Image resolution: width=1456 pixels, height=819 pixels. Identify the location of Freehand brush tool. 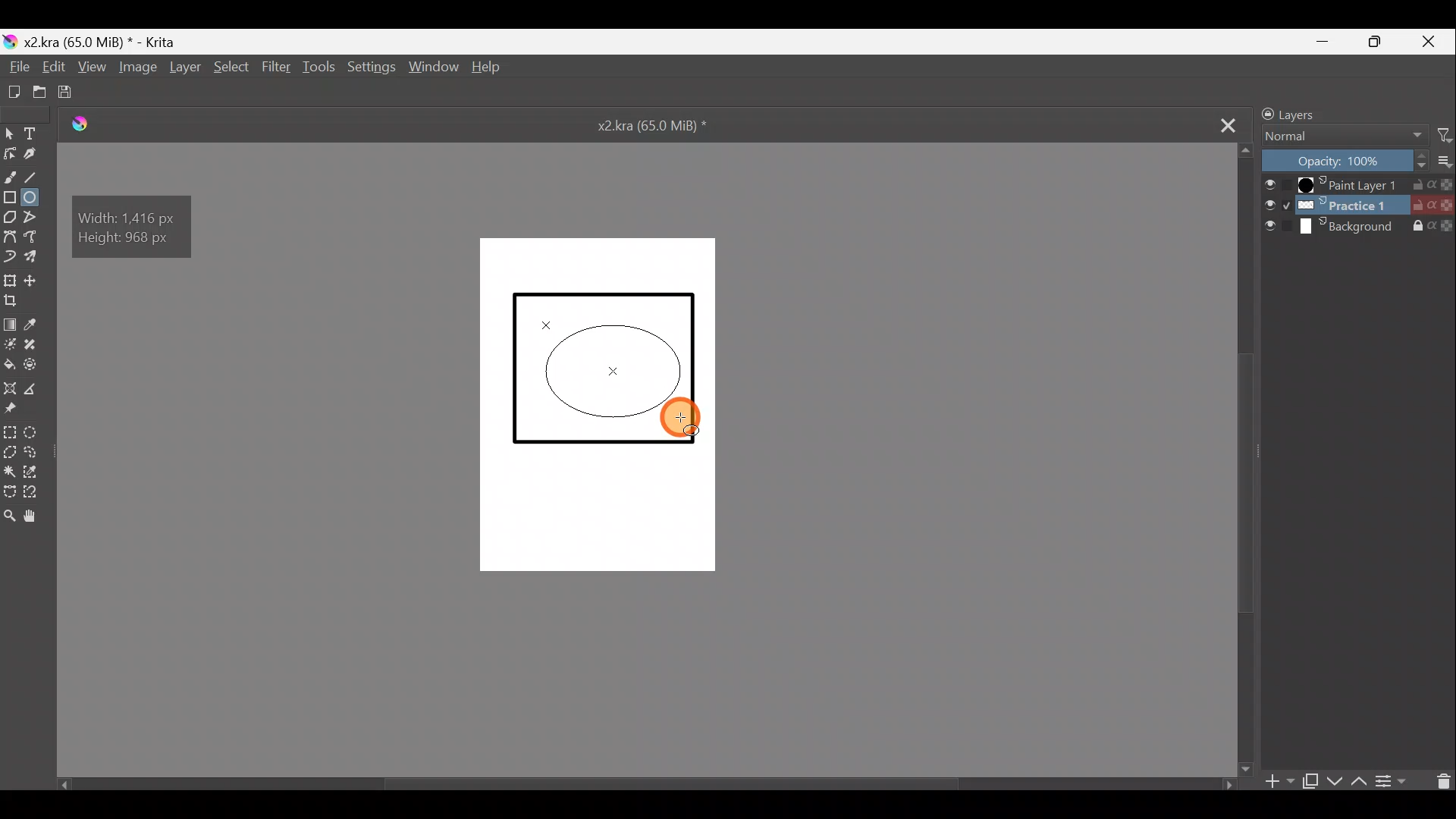
(11, 174).